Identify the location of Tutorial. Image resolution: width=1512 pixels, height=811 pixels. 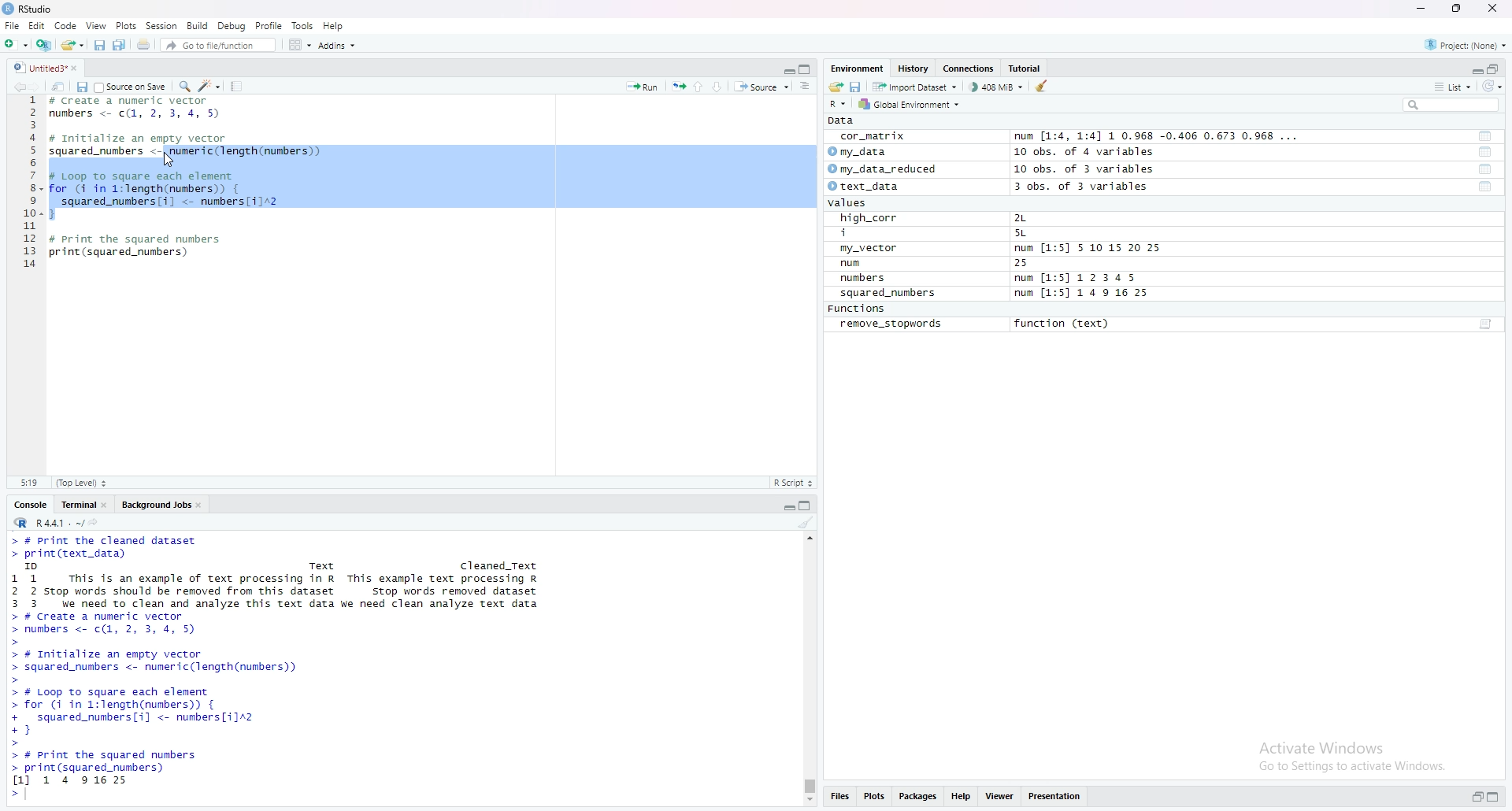
(1028, 69).